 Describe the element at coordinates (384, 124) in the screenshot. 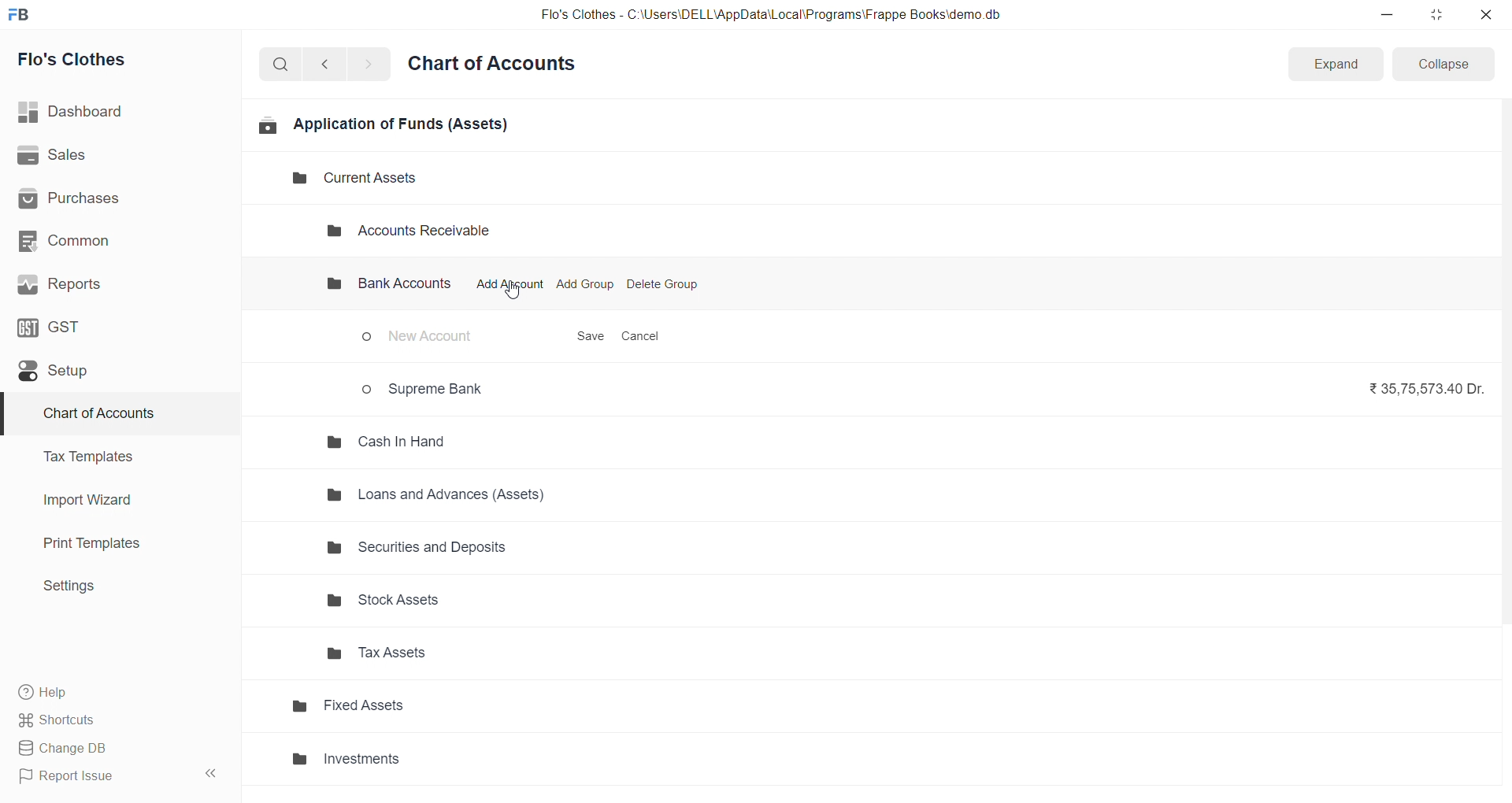

I see `Application of Funds (Assets)` at that location.